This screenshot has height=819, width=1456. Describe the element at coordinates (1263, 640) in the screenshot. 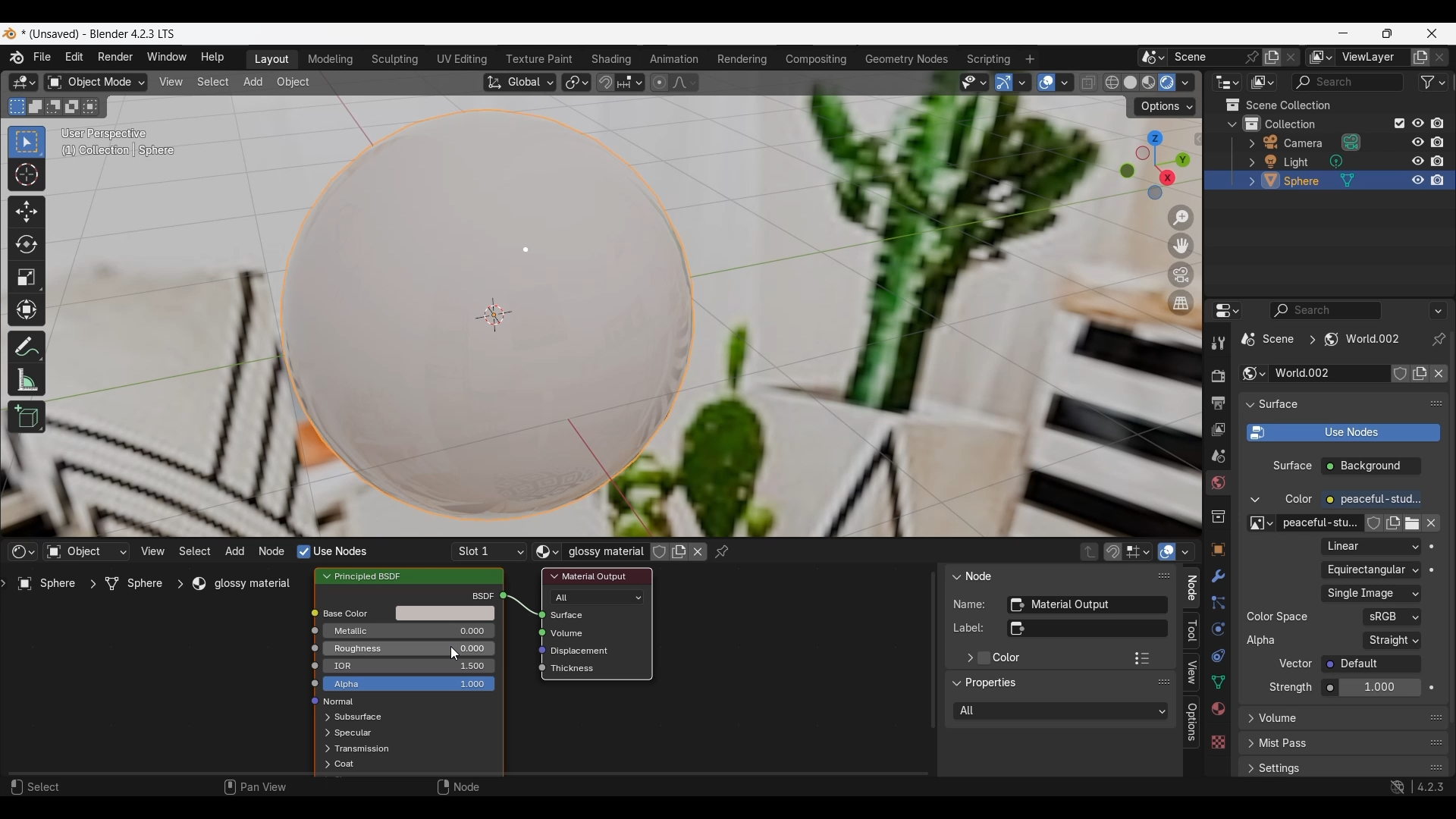

I see `Alpha` at that location.